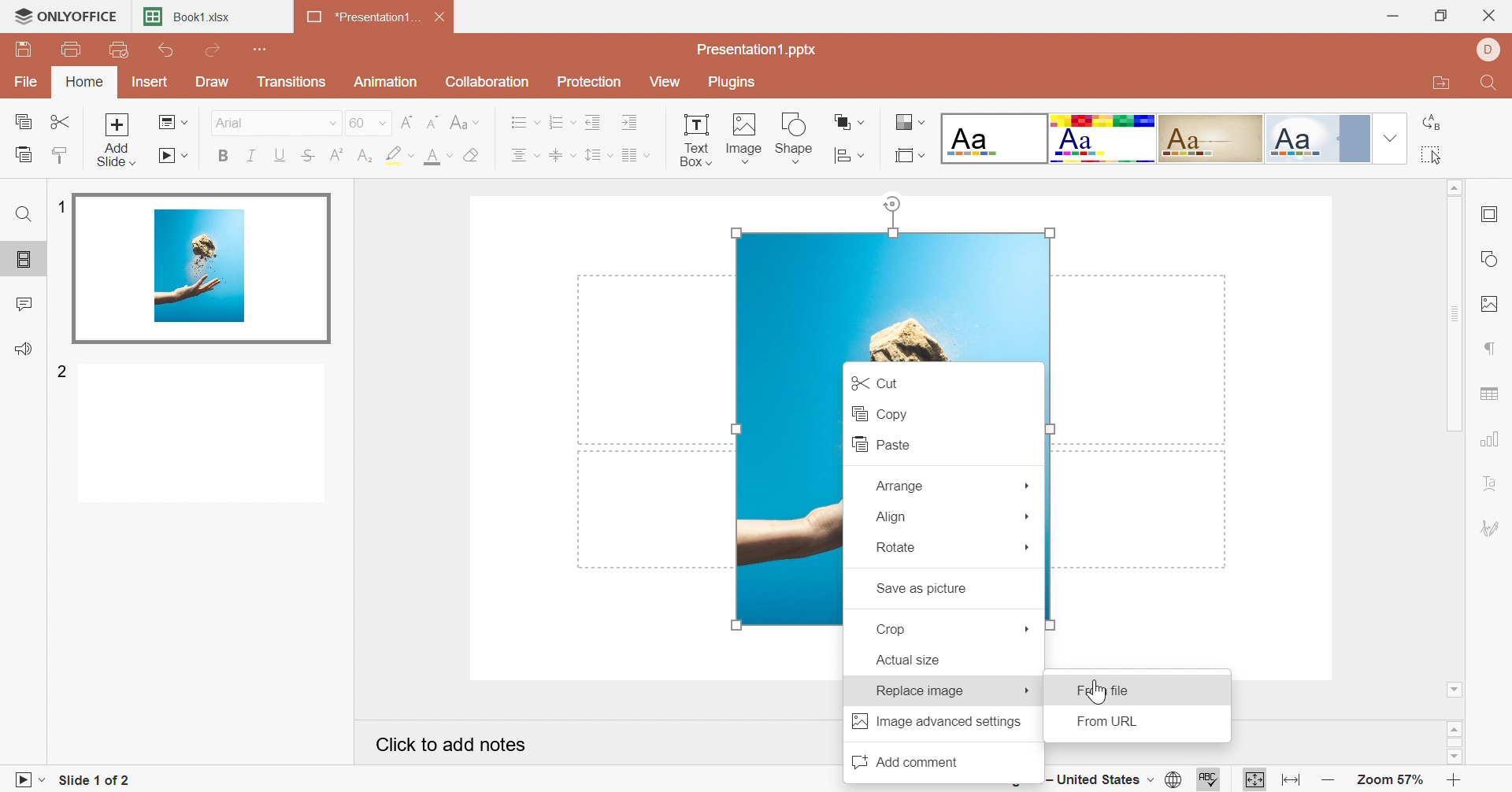  Describe the element at coordinates (1152, 138) in the screenshot. I see `Type of slides` at that location.